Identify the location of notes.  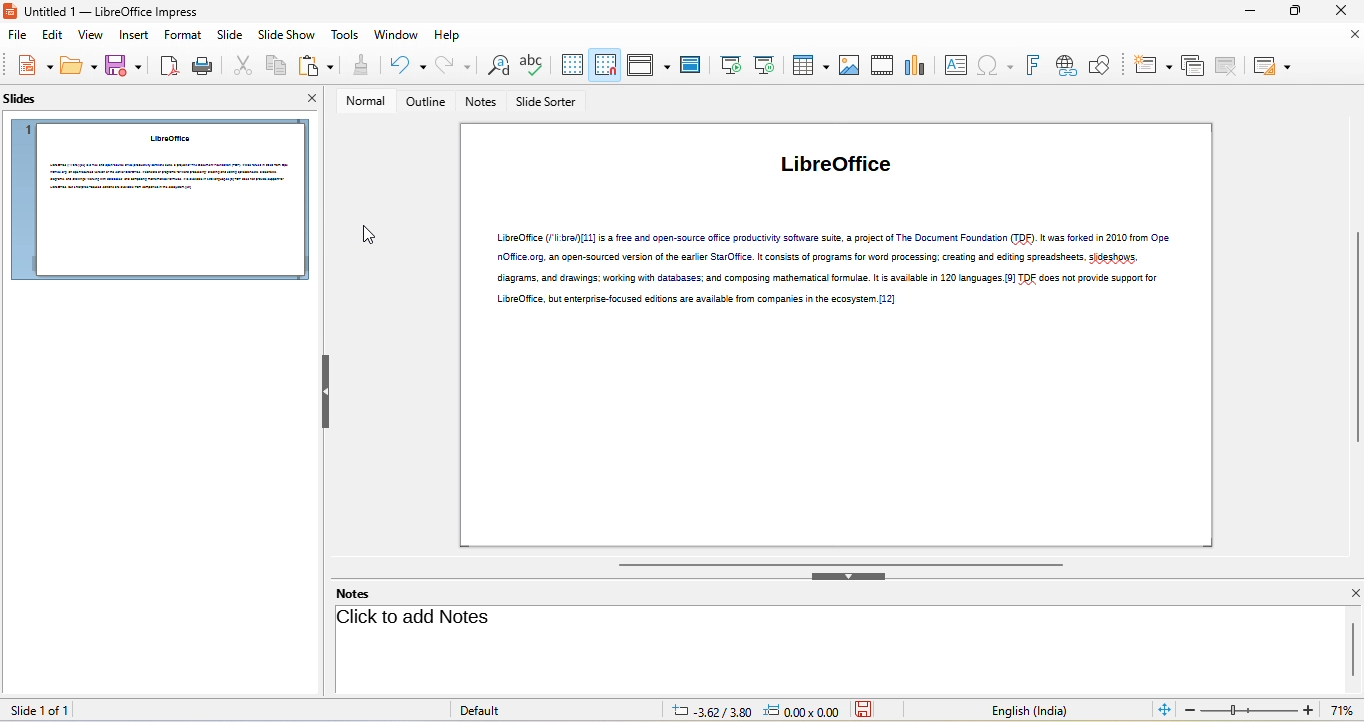
(482, 103).